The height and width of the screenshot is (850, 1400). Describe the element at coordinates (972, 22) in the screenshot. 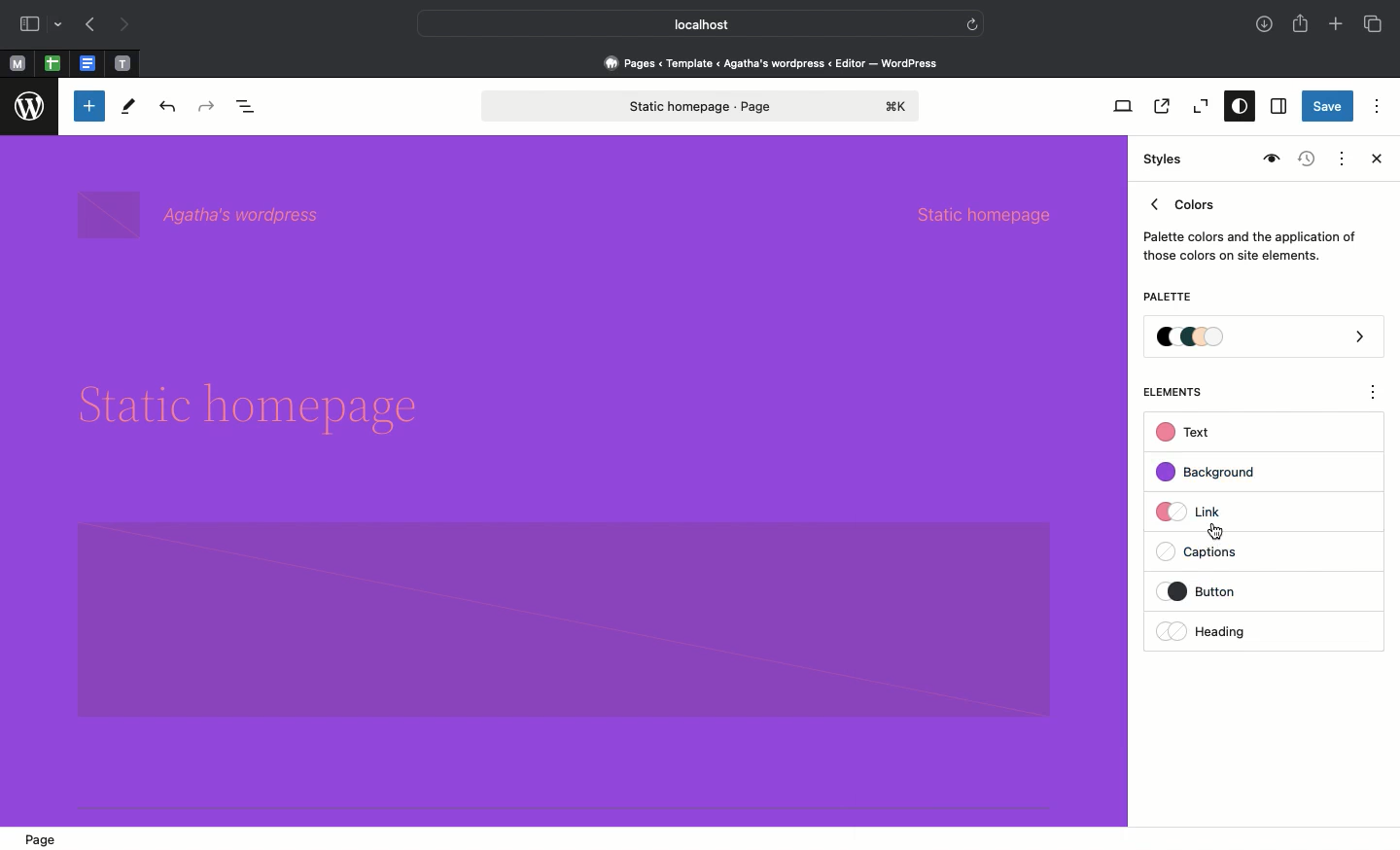

I see `refresh` at that location.